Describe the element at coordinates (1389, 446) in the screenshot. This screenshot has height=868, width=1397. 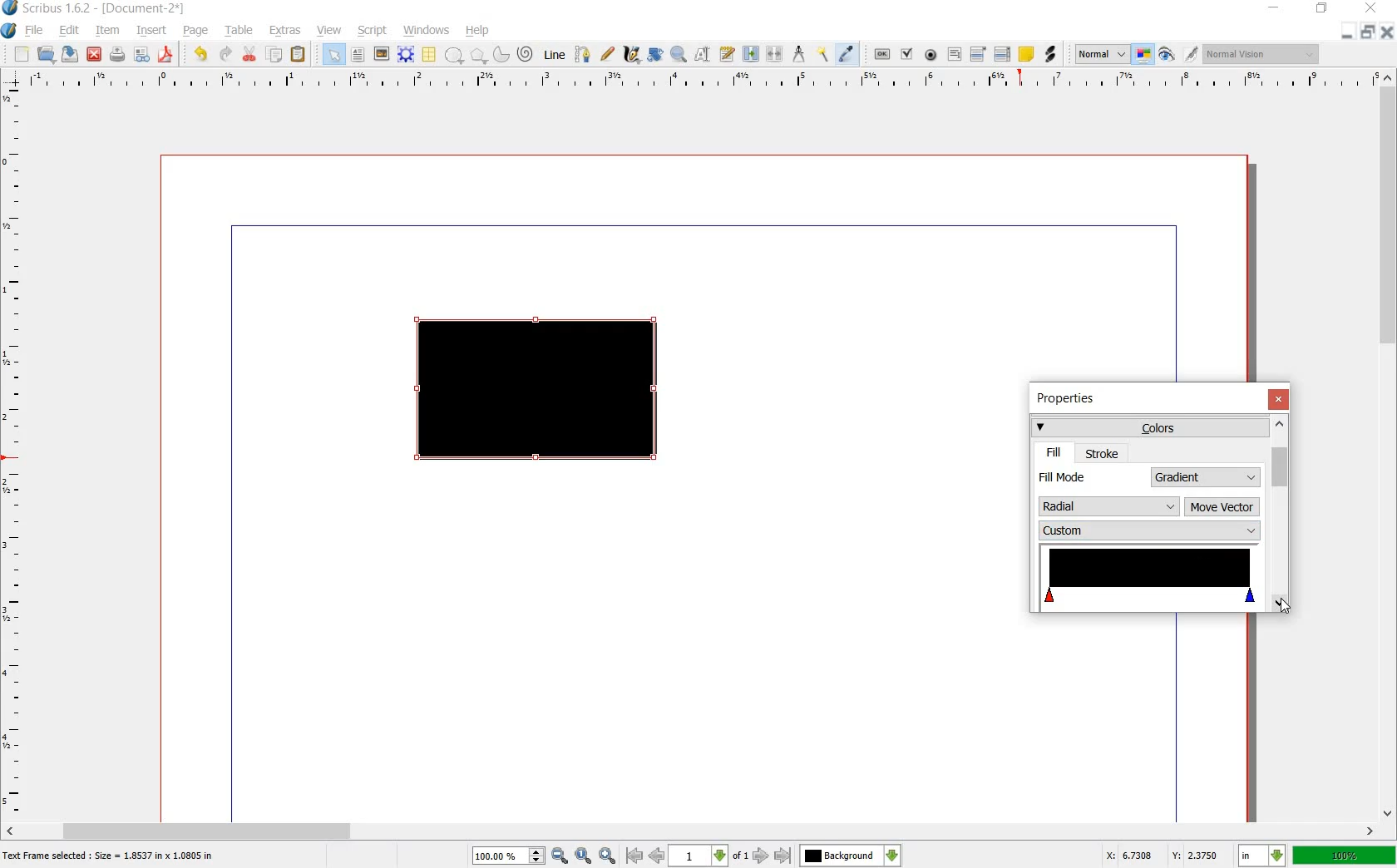
I see `scroll bar` at that location.